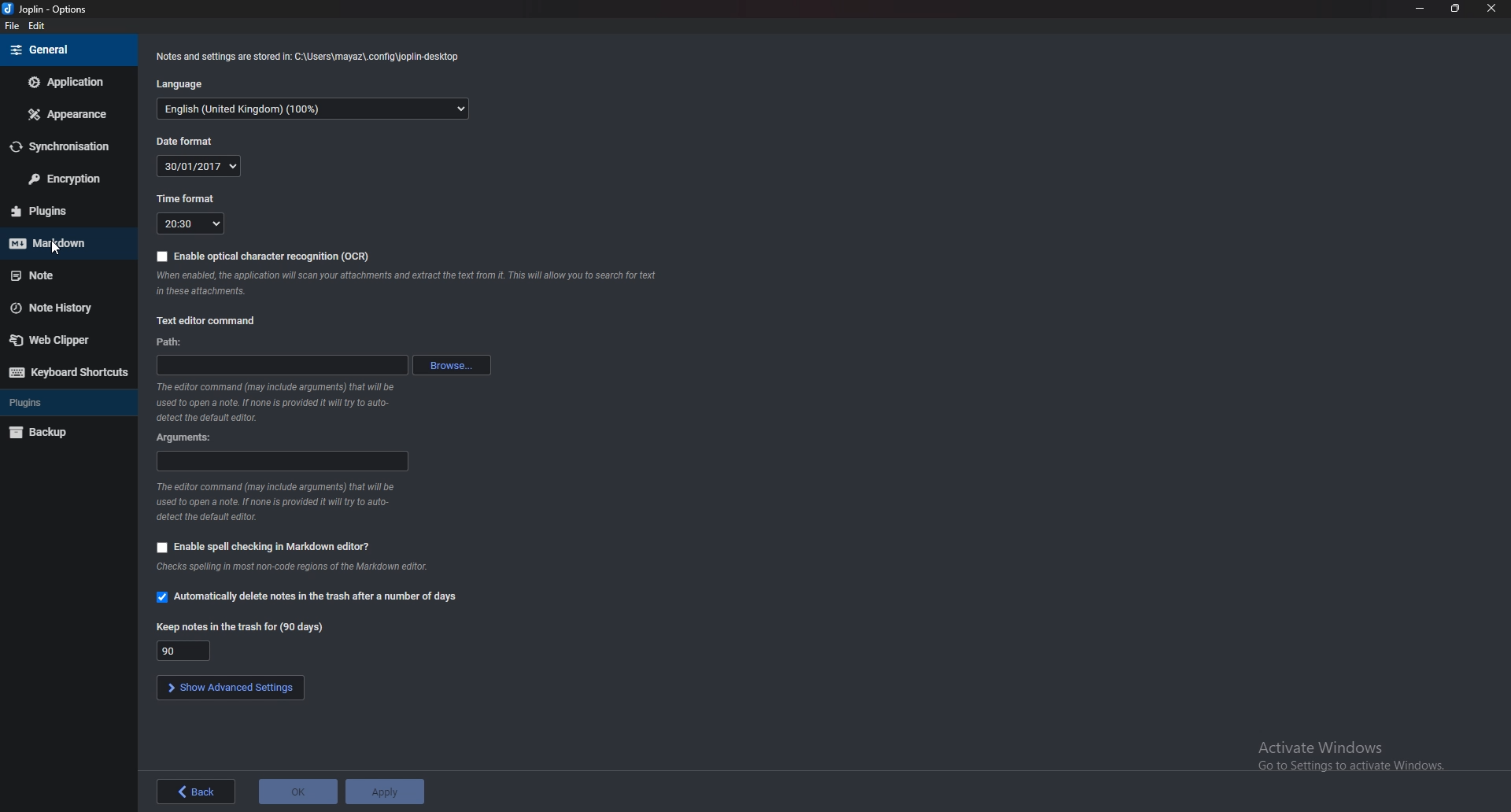 This screenshot has width=1511, height=812. Describe the element at coordinates (209, 322) in the screenshot. I see `Text editor command` at that location.